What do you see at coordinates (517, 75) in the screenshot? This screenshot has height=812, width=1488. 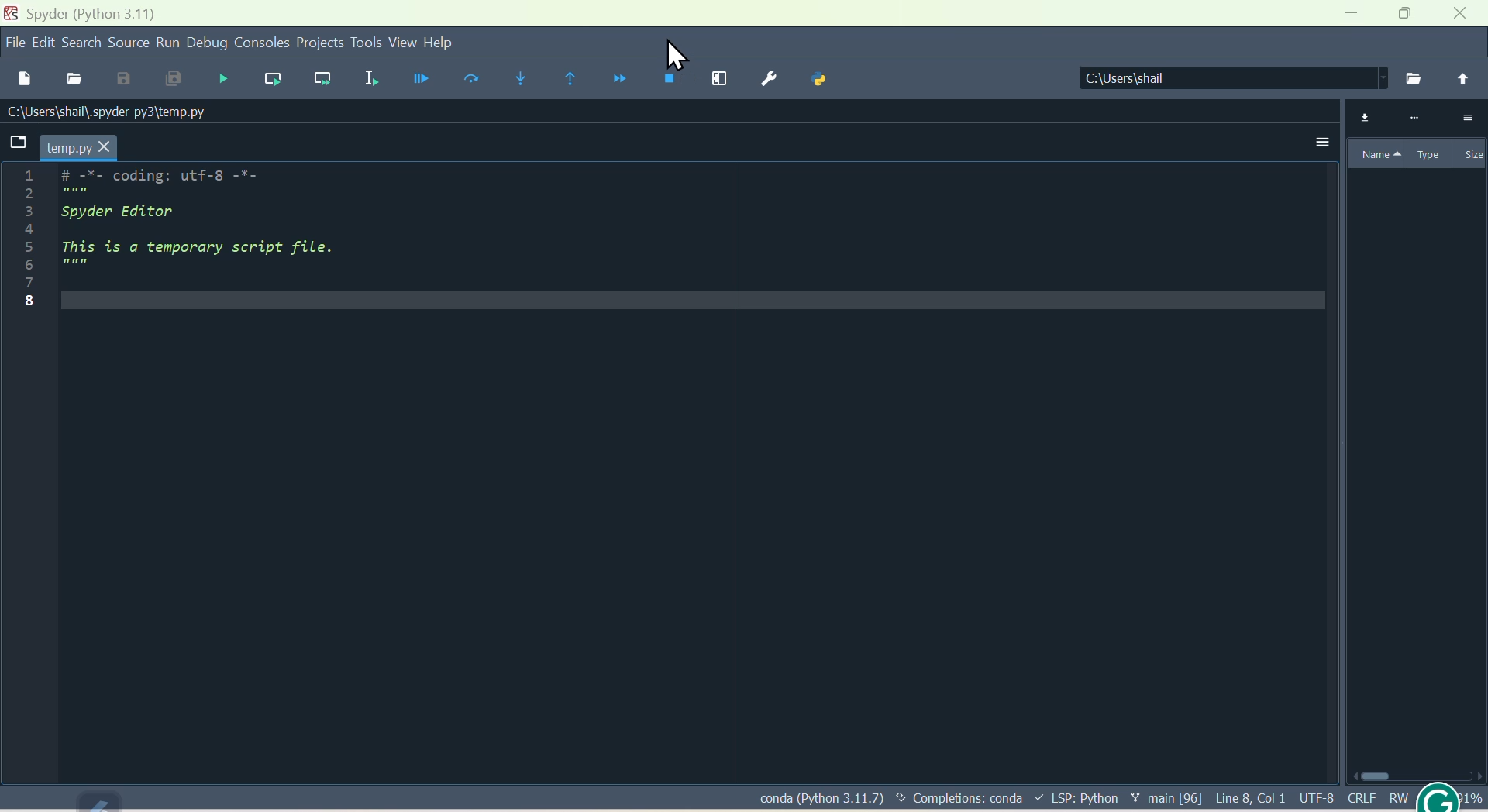 I see `Step into function` at bounding box center [517, 75].